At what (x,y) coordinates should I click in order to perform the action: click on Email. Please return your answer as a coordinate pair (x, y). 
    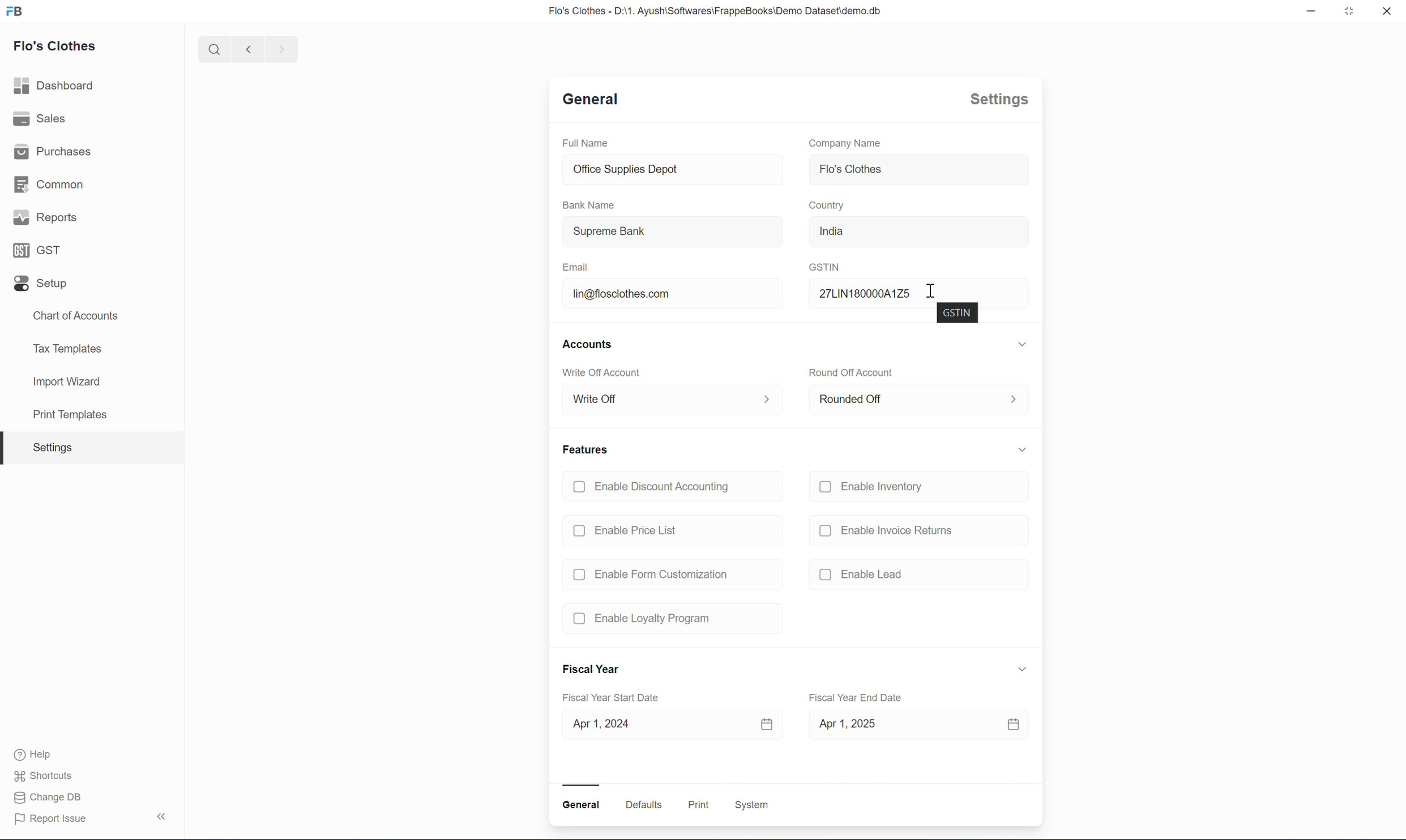
    Looking at the image, I should click on (576, 267).